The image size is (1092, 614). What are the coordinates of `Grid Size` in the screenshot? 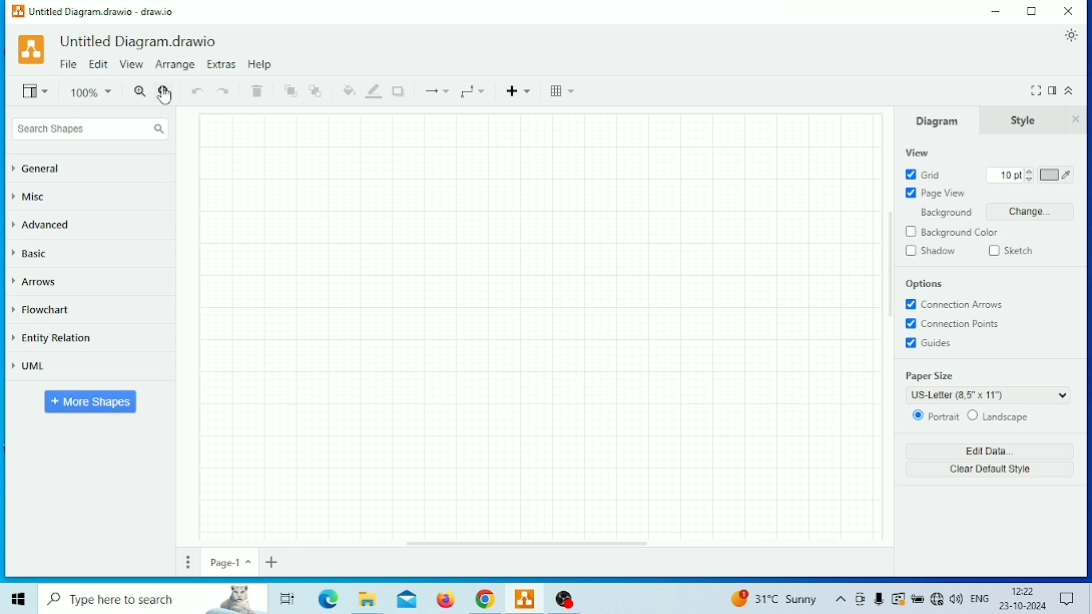 It's located at (1009, 175).